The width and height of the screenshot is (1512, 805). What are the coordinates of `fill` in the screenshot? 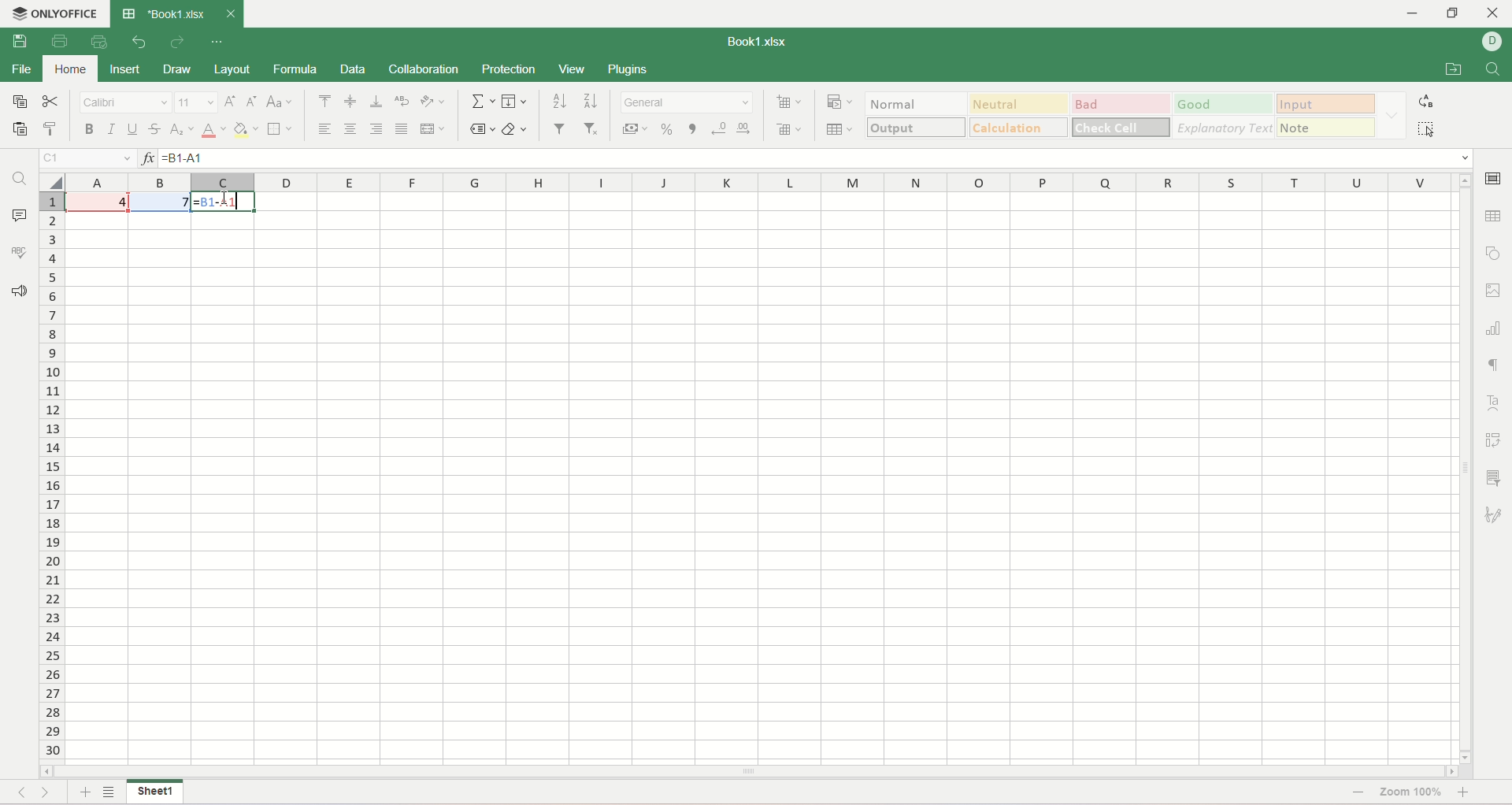 It's located at (514, 102).